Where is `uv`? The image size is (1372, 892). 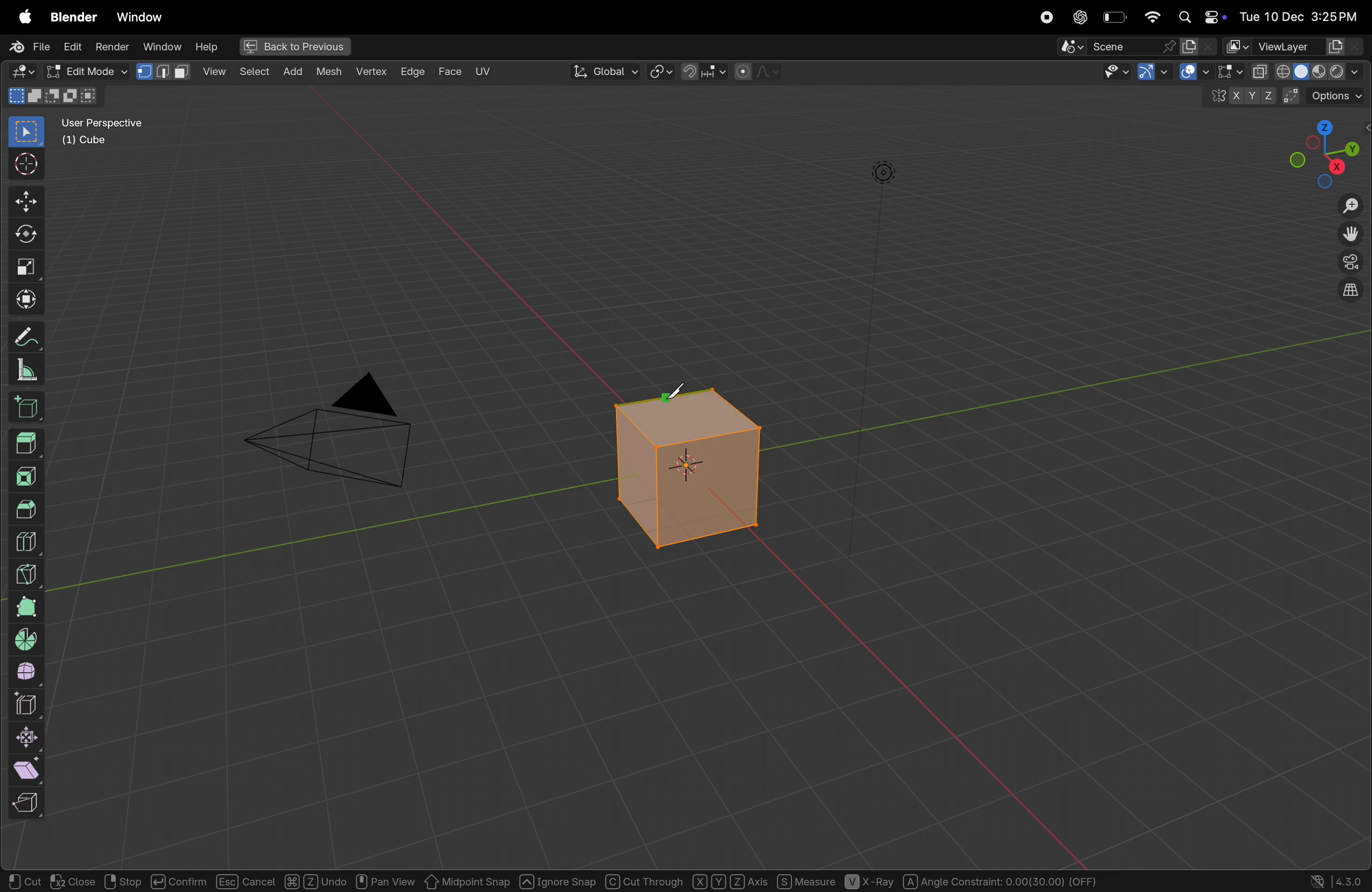
uv is located at coordinates (483, 71).